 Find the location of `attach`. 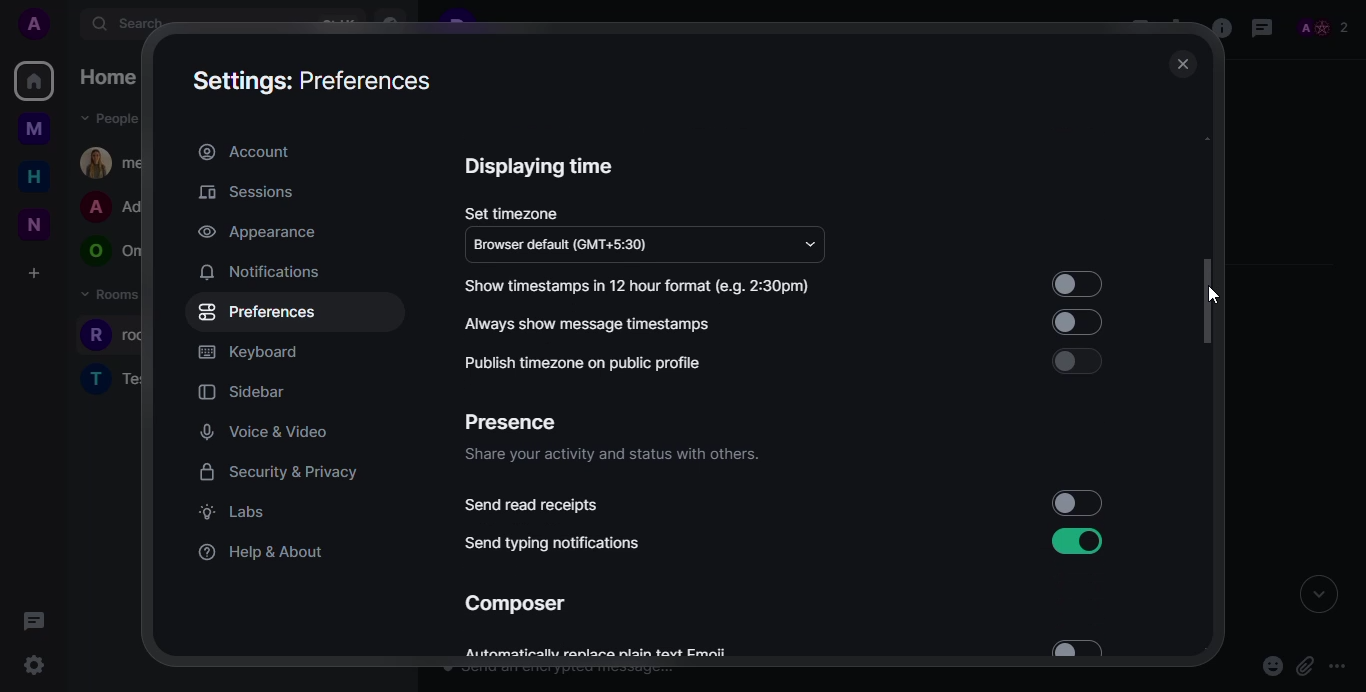

attach is located at coordinates (1305, 666).